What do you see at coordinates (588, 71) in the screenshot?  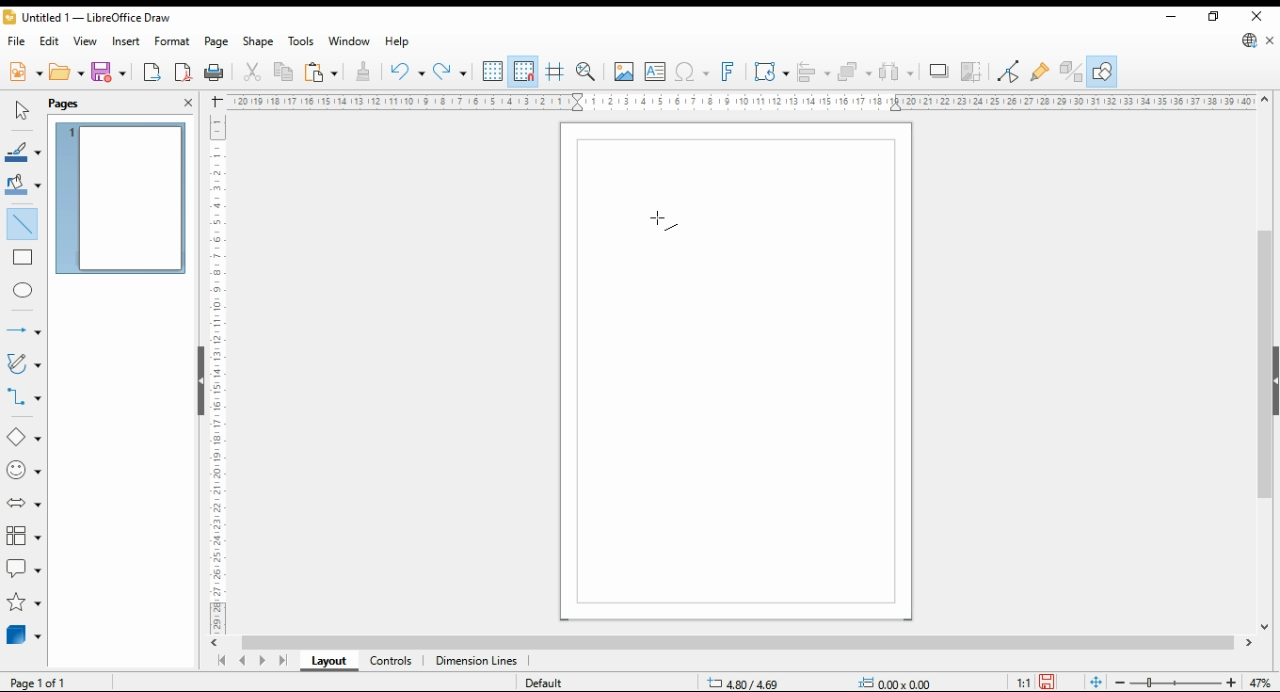 I see `pan and zoom` at bounding box center [588, 71].